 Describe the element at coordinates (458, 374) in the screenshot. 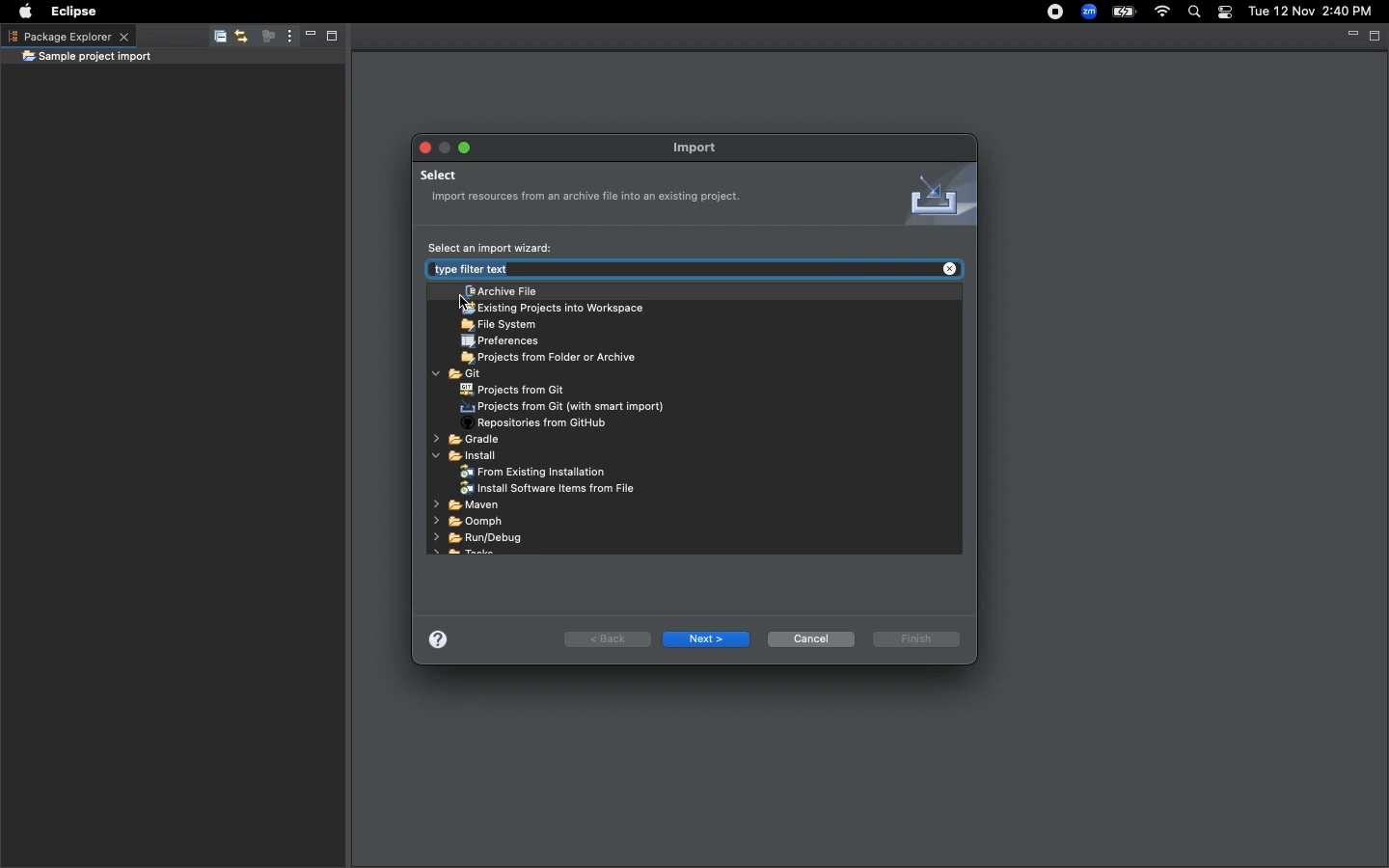

I see `Fit` at that location.